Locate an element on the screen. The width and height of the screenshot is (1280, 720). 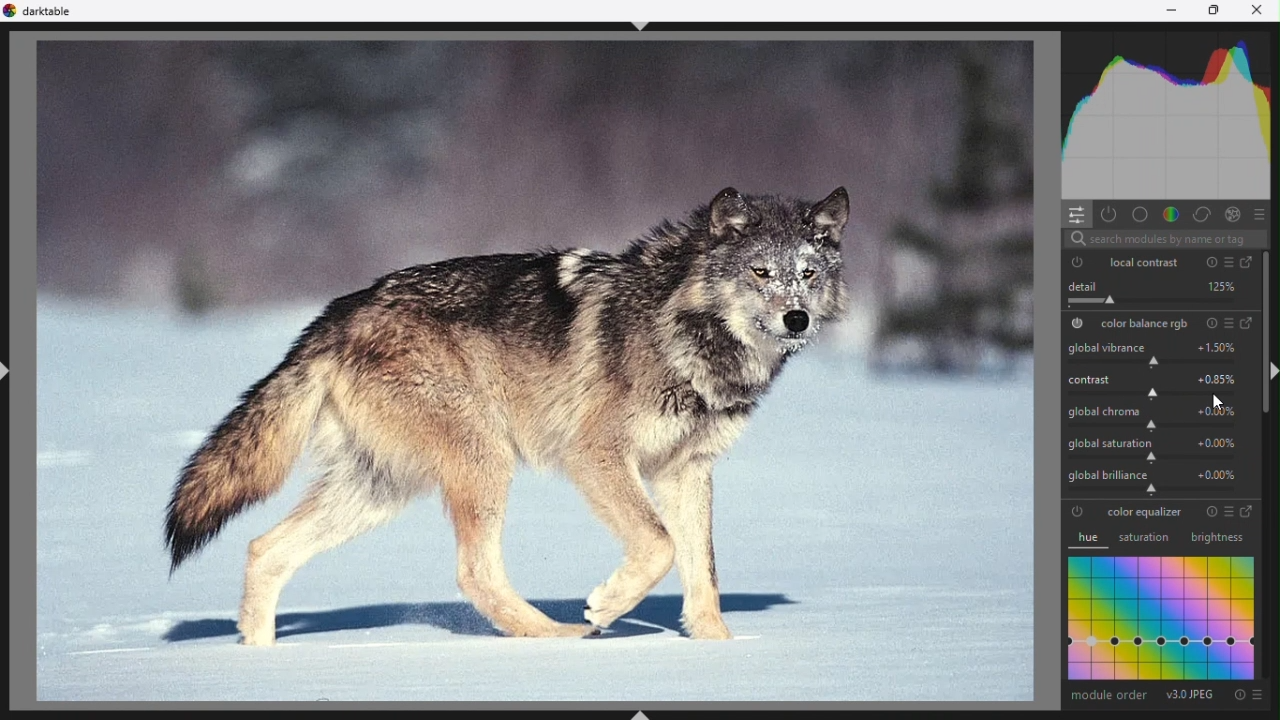
presets is located at coordinates (1227, 512).